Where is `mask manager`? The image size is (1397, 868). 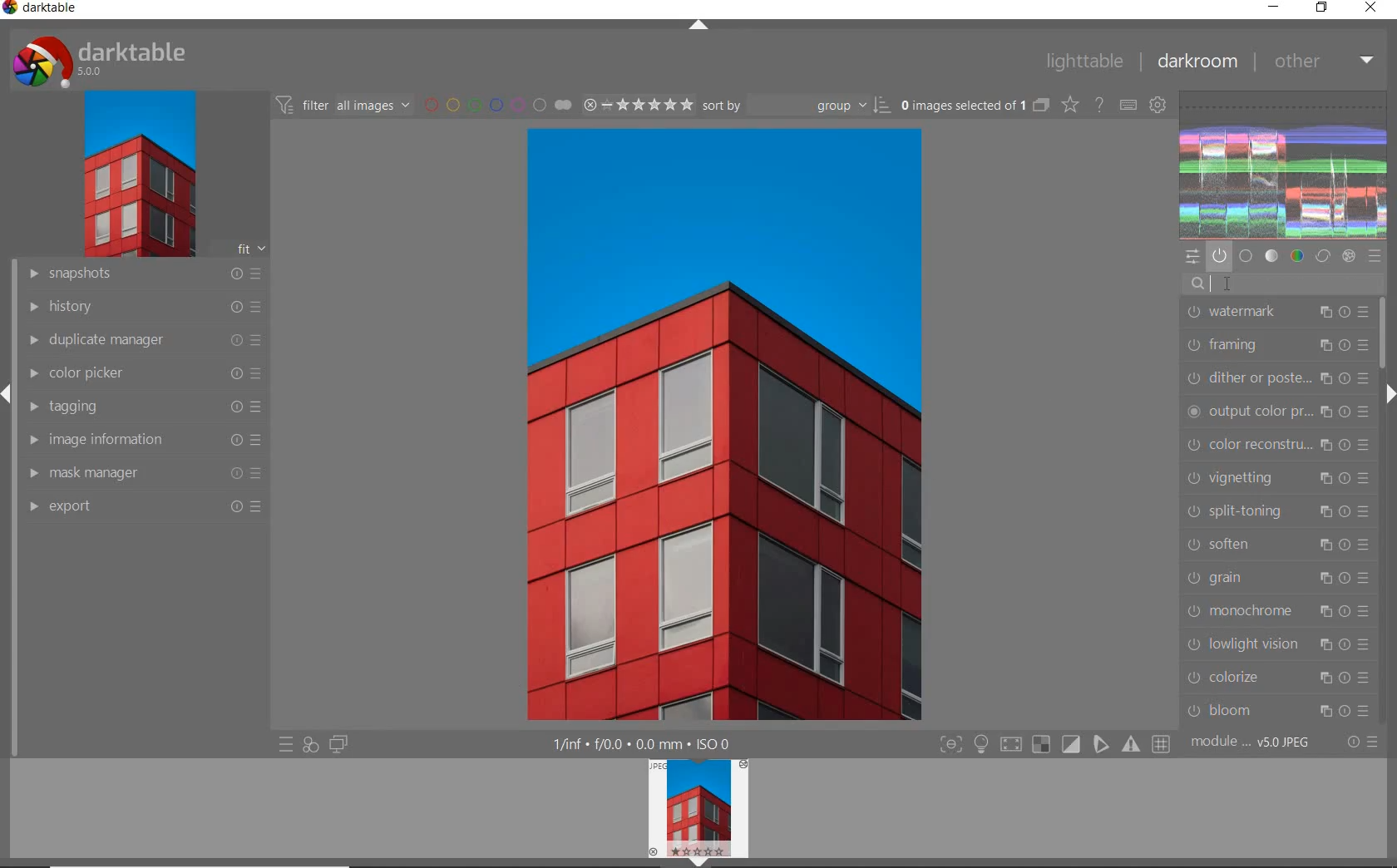 mask manager is located at coordinates (146, 474).